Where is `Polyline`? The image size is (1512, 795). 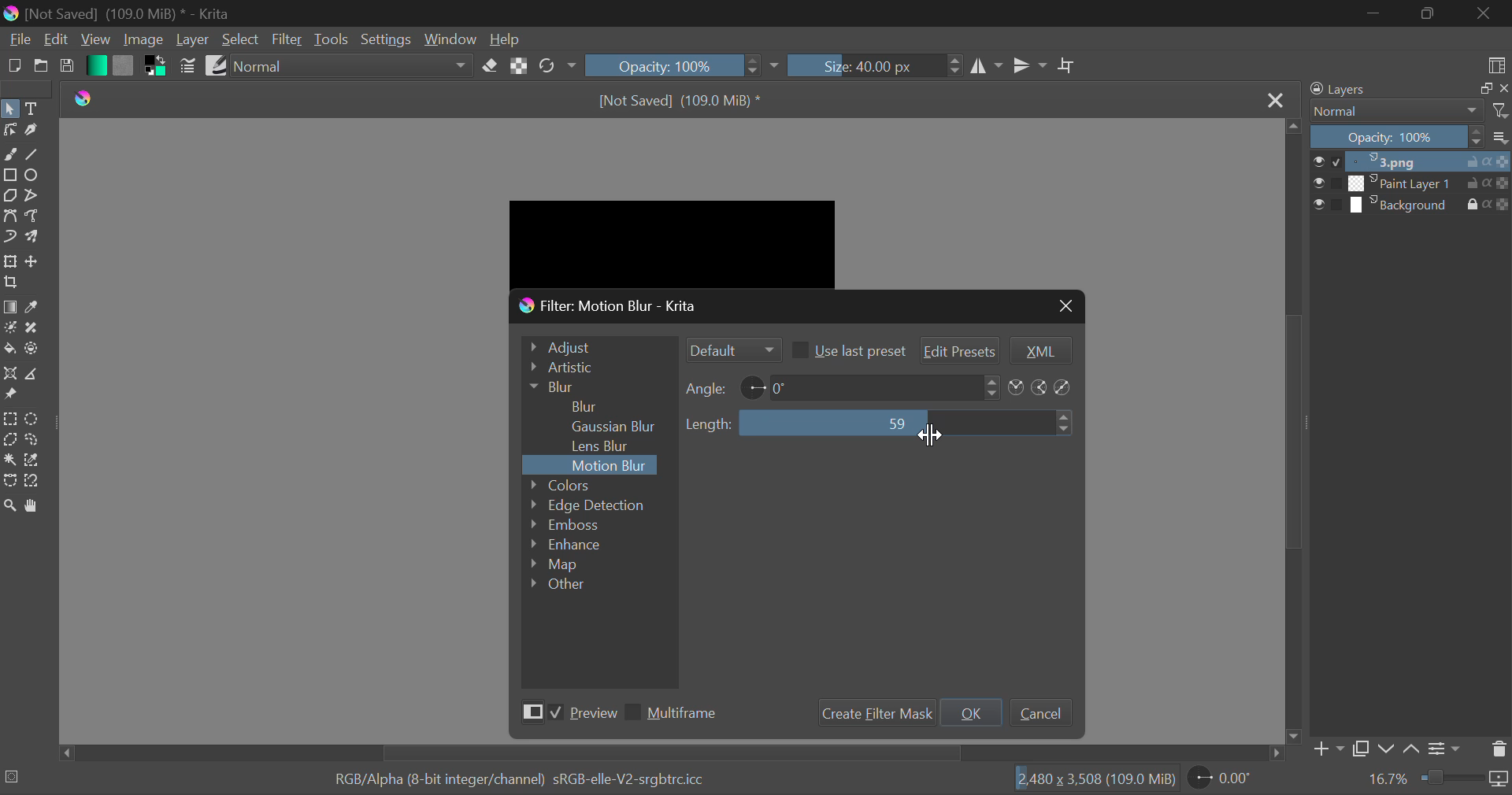
Polyline is located at coordinates (33, 196).